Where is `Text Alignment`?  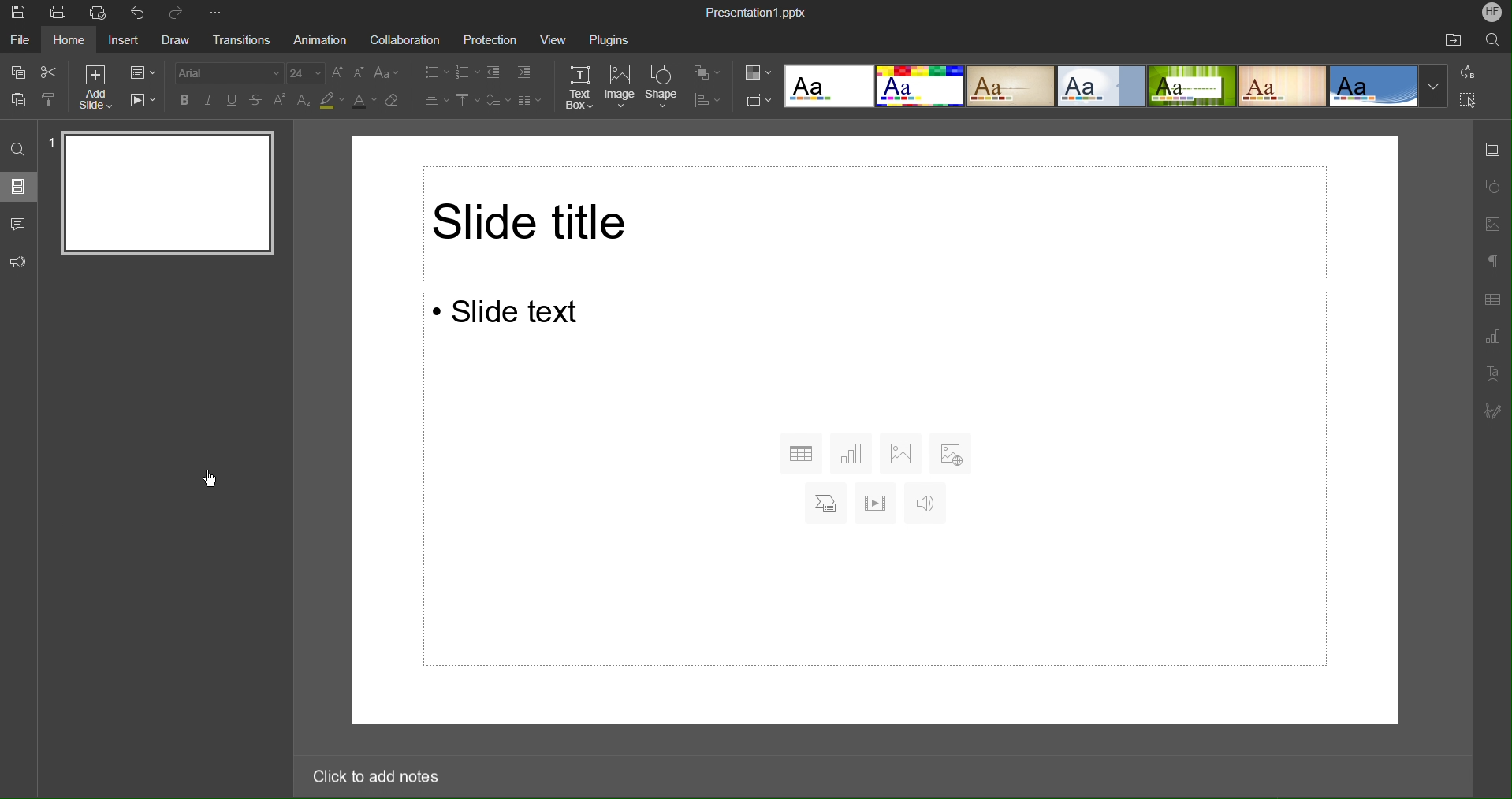 Text Alignment is located at coordinates (437, 98).